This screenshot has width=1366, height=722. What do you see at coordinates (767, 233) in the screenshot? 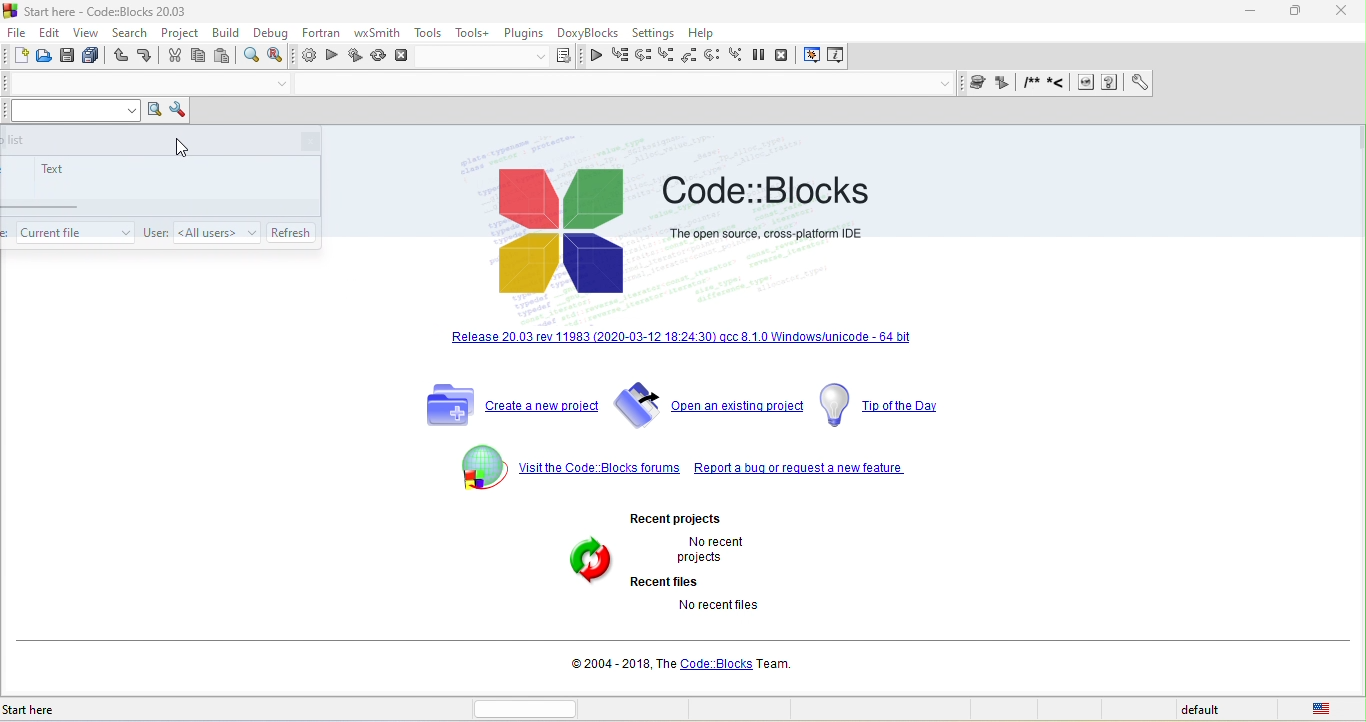
I see `the open source cross platform ide` at bounding box center [767, 233].